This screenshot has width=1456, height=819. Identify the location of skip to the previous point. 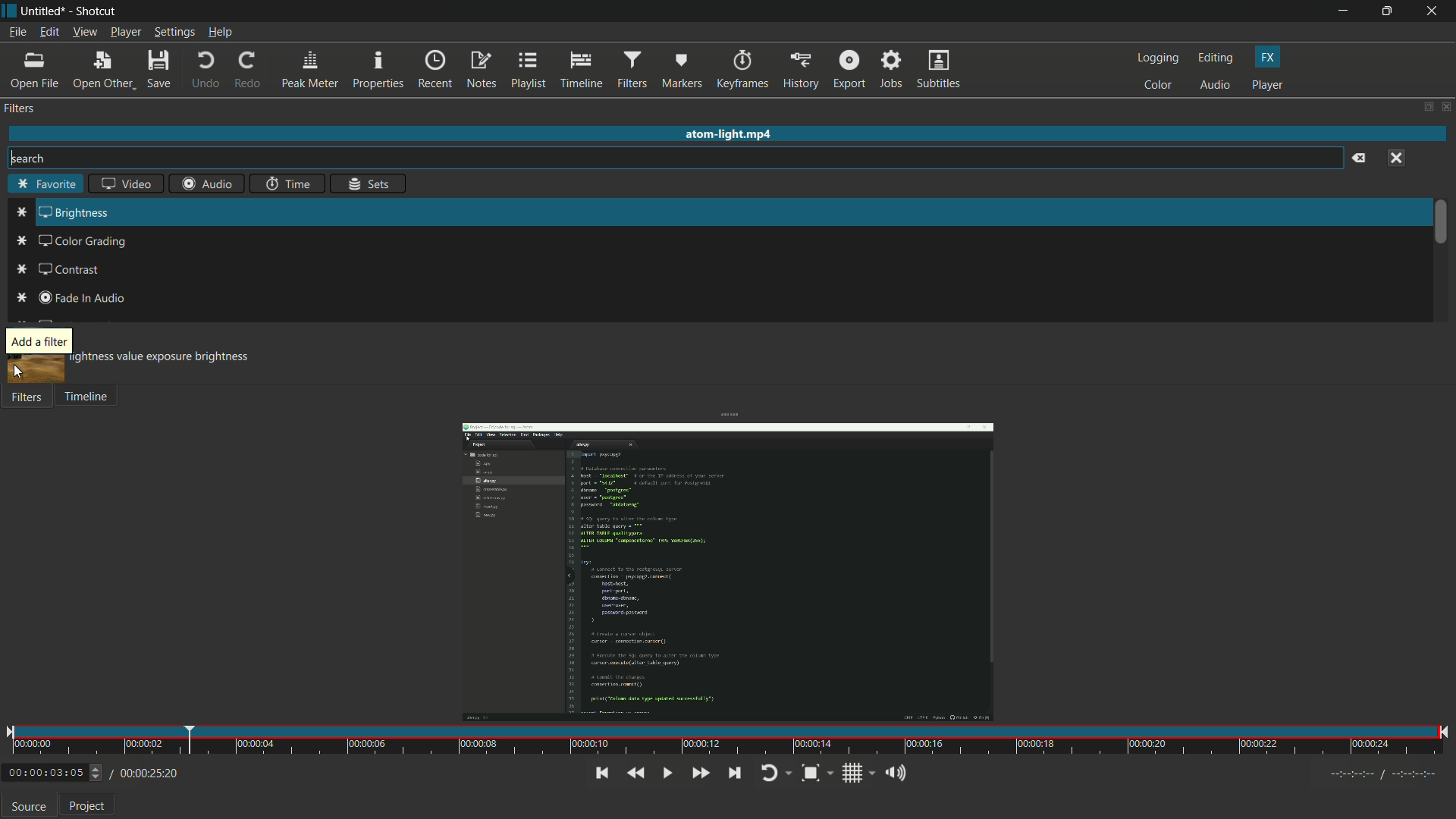
(600, 773).